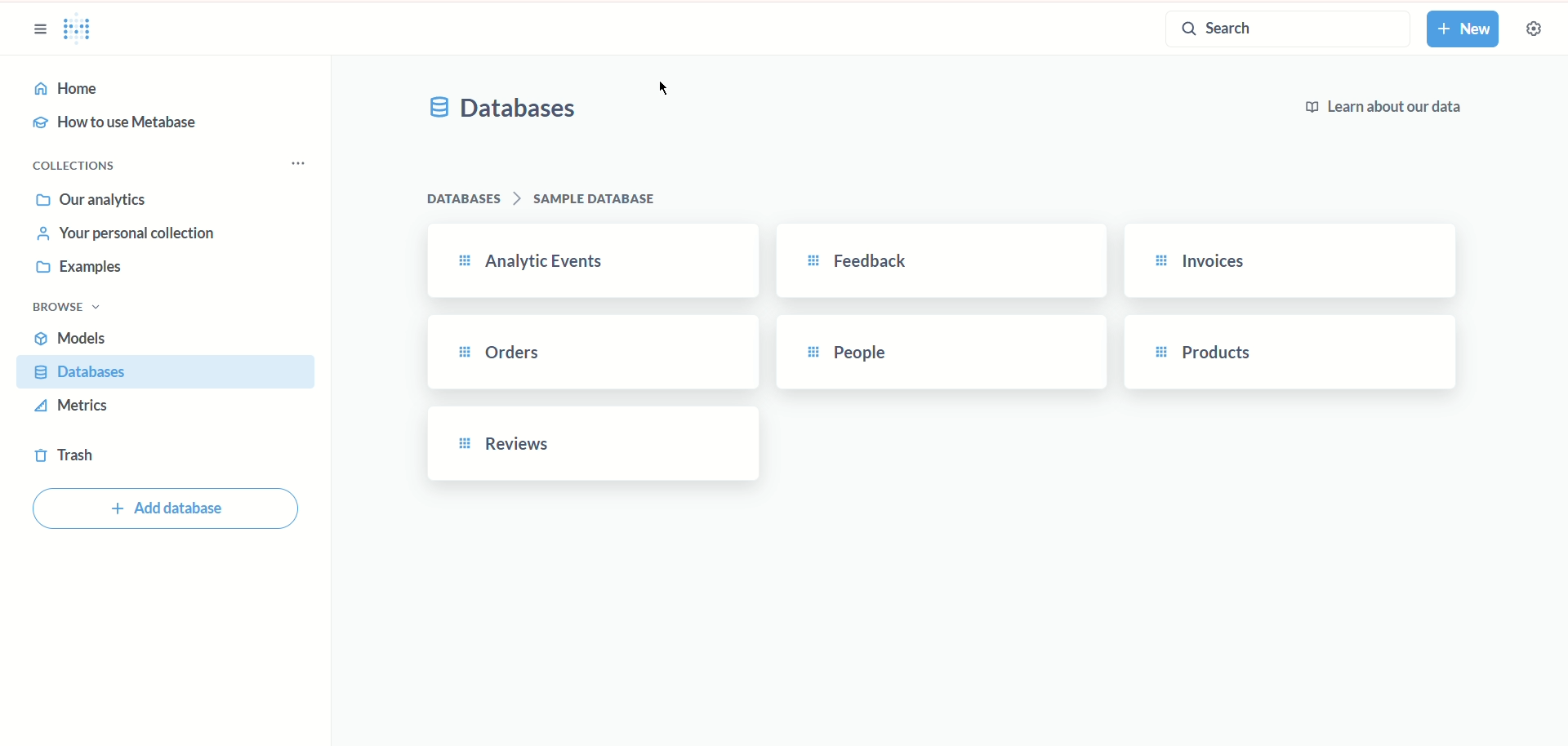 This screenshot has height=746, width=1568. Describe the element at coordinates (169, 90) in the screenshot. I see `home` at that location.